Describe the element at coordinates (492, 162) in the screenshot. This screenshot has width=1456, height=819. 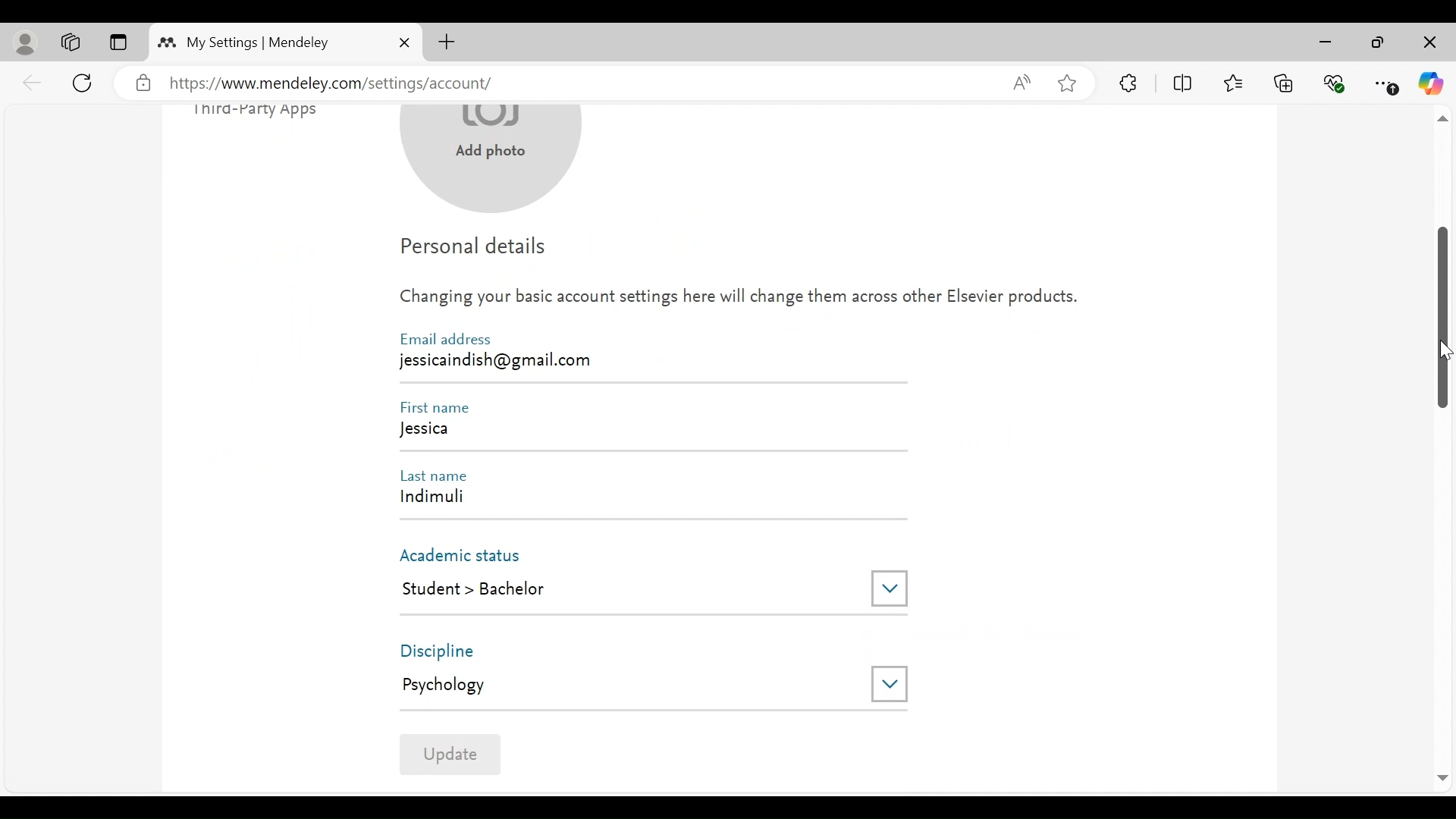
I see `Add photo` at that location.